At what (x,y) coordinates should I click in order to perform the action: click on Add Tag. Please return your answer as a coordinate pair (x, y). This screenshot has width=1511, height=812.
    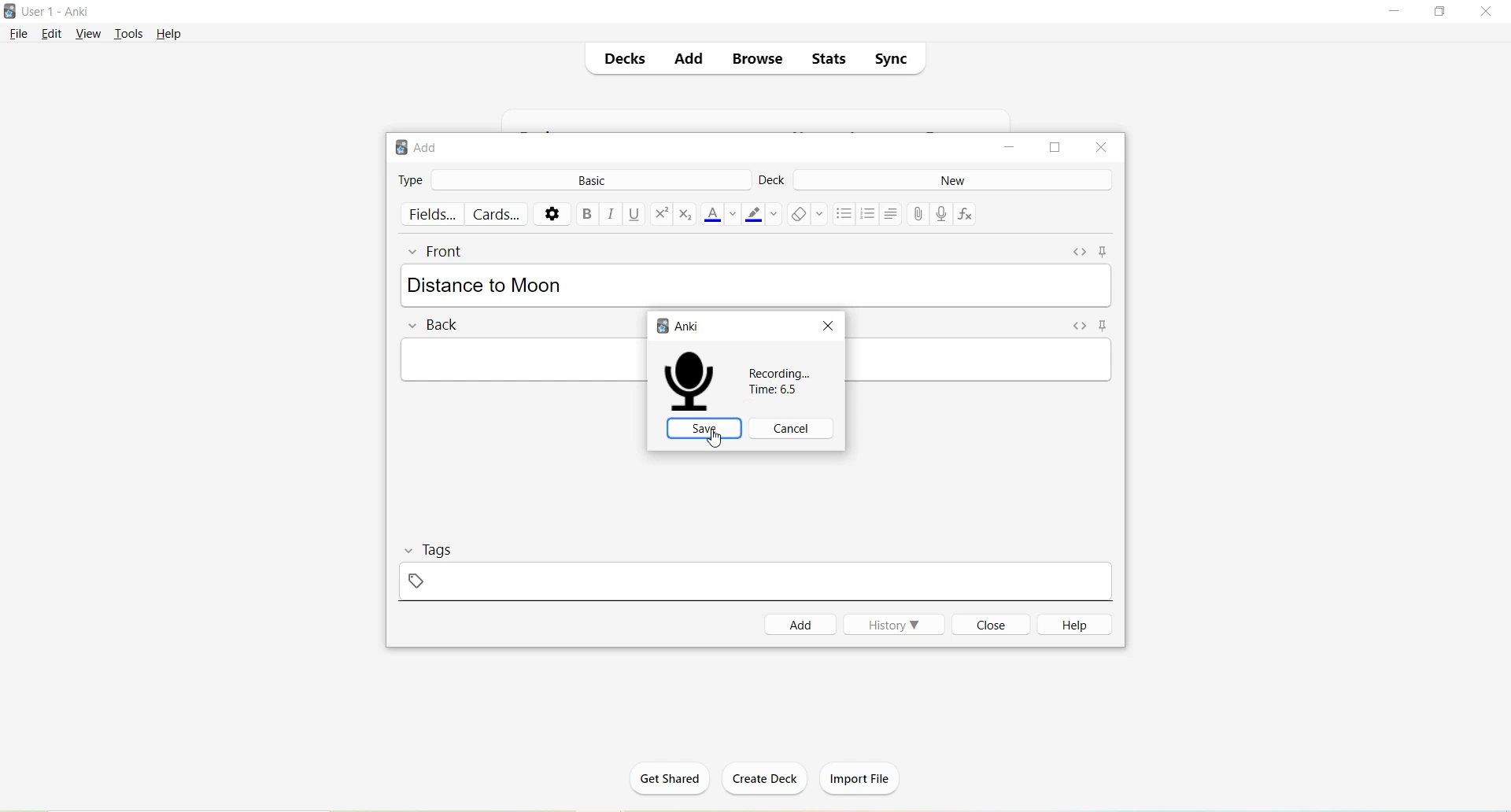
    Looking at the image, I should click on (418, 581).